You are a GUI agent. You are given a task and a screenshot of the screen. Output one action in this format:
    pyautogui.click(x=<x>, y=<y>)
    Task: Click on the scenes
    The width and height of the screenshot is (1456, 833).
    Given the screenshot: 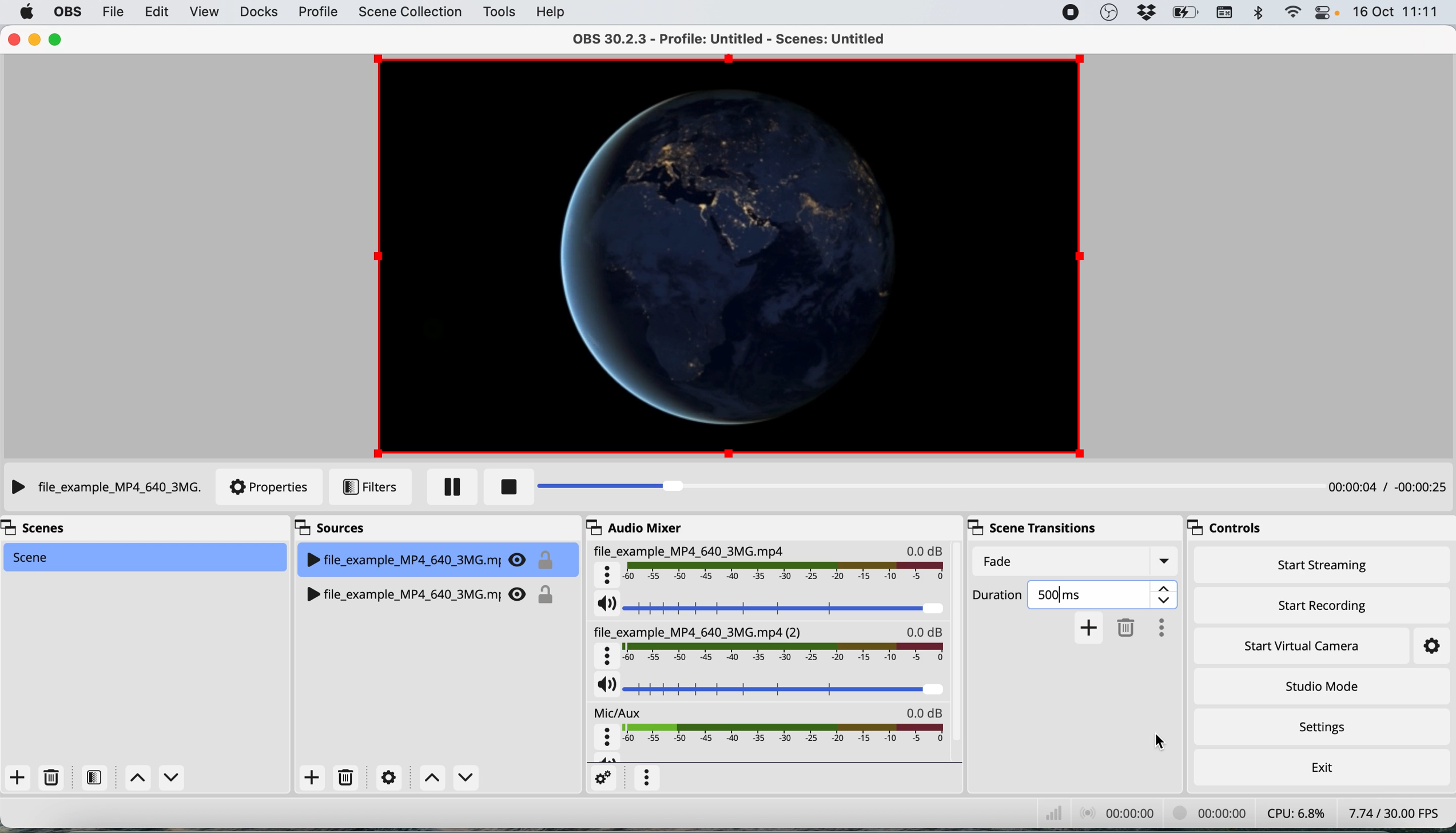 What is the action you would take?
    pyautogui.click(x=52, y=530)
    